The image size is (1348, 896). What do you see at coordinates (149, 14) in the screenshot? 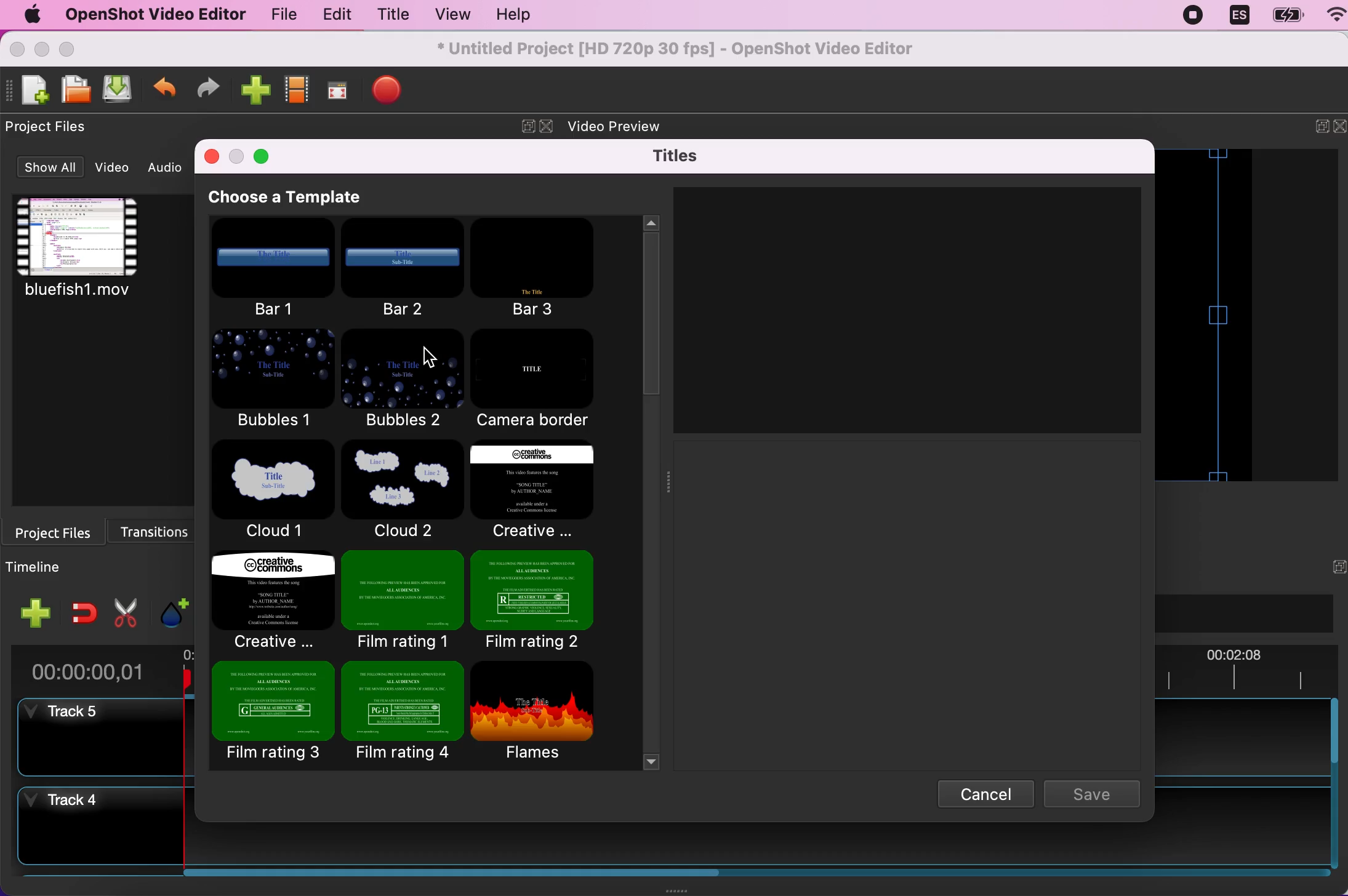
I see `openshot video editor` at bounding box center [149, 14].